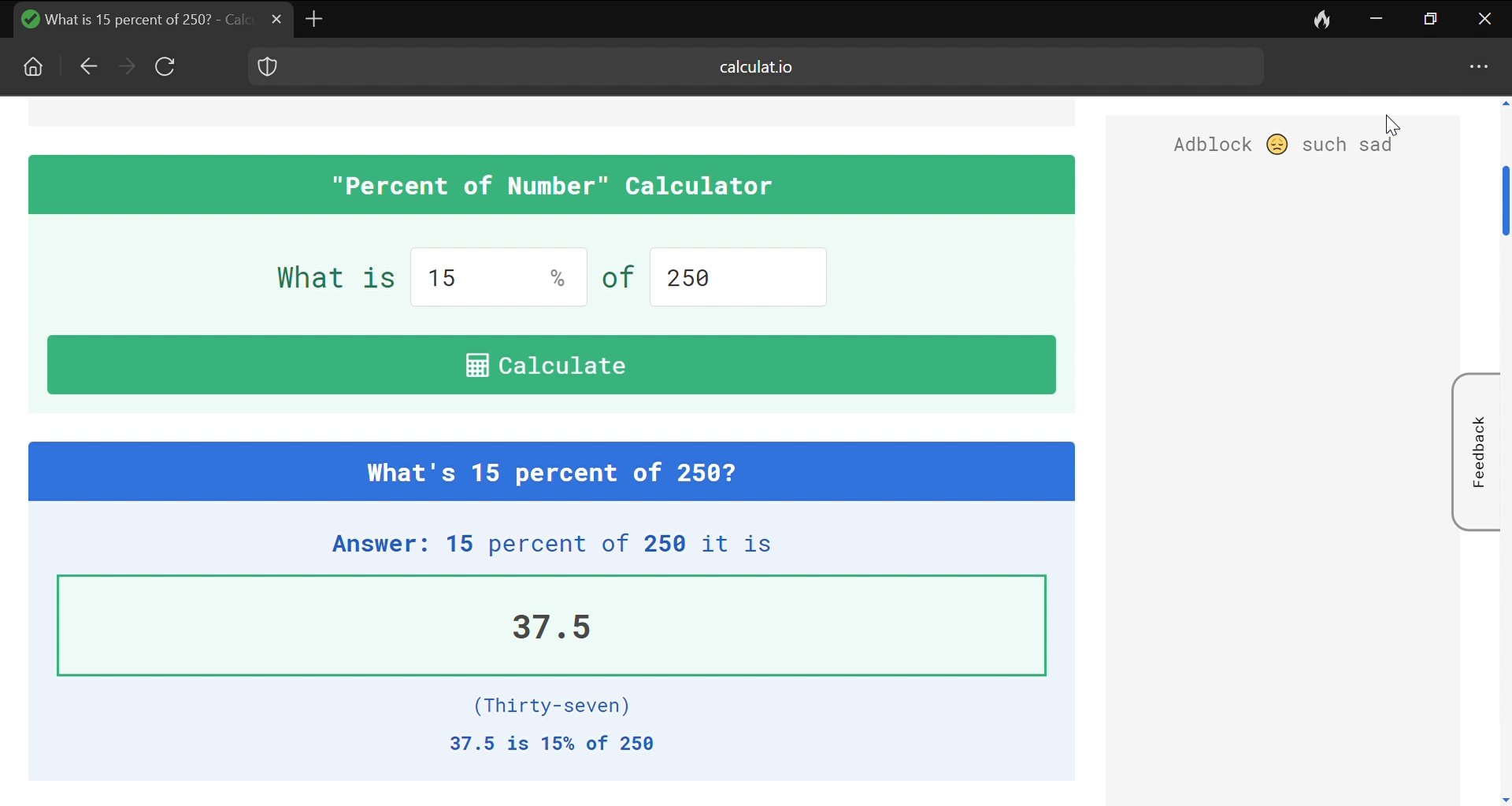  What do you see at coordinates (127, 66) in the screenshot?
I see `Forward` at bounding box center [127, 66].